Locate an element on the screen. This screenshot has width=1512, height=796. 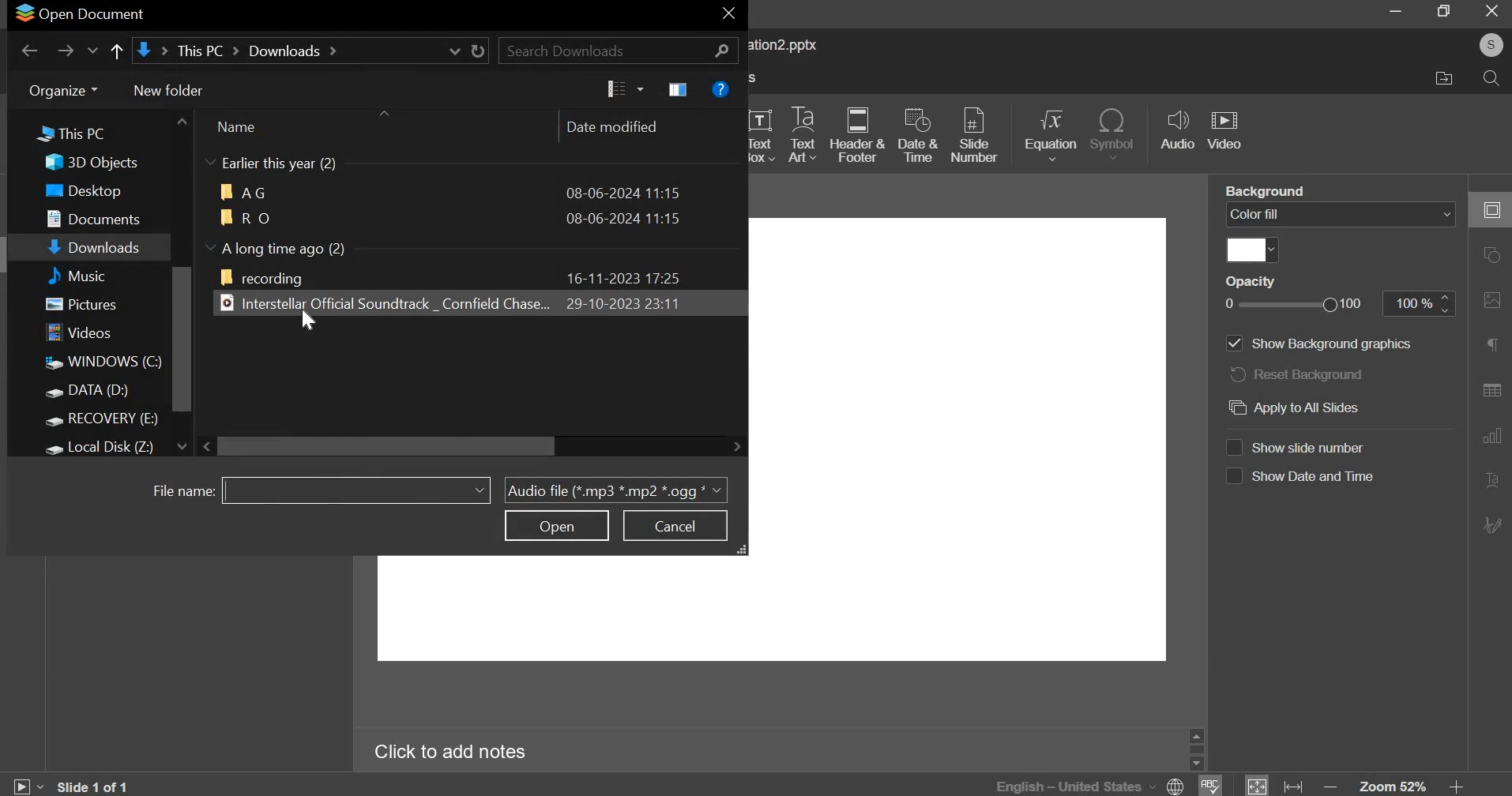
new folder is located at coordinates (168, 92).